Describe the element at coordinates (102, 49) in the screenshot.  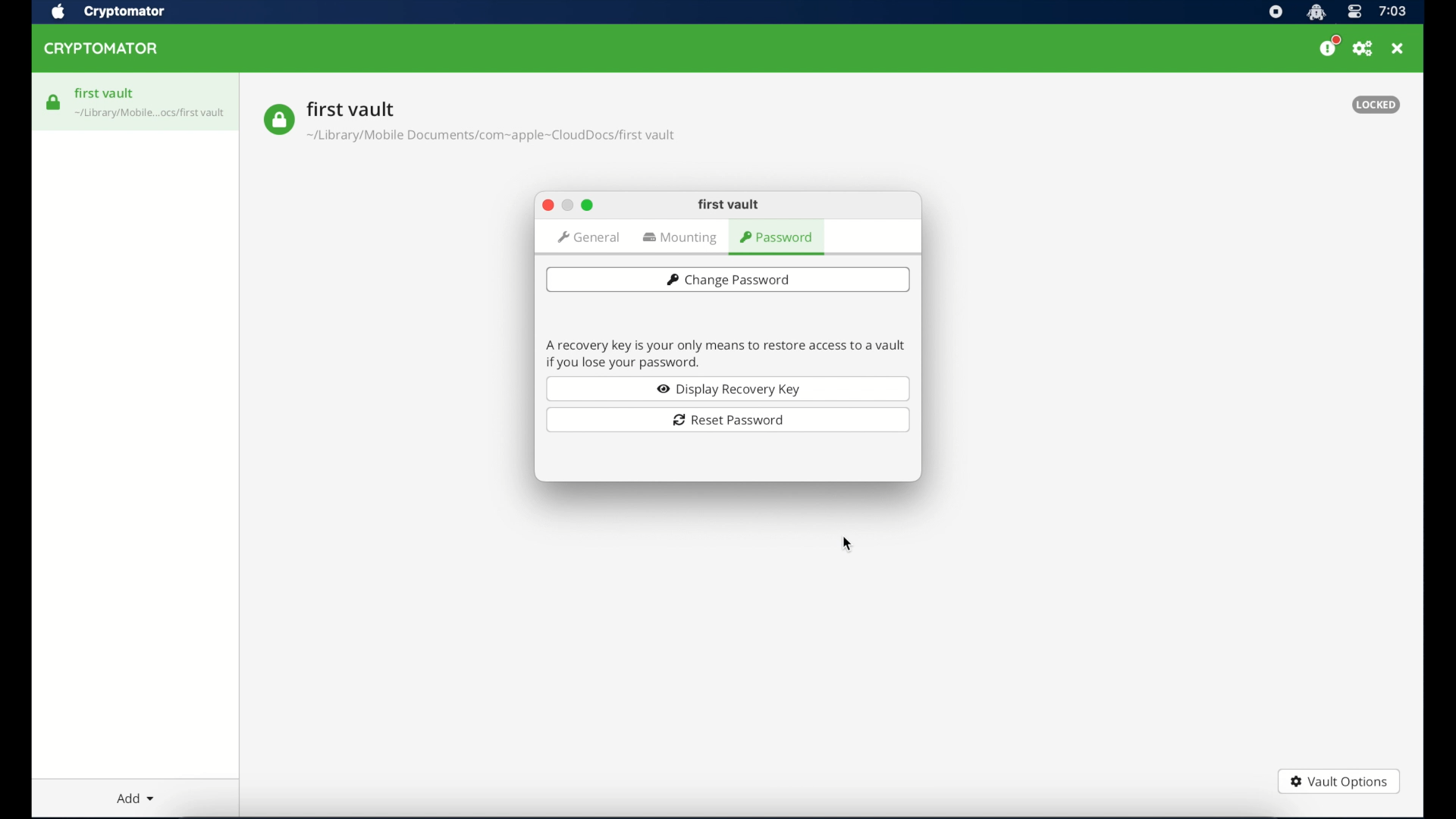
I see `cryptomator` at that location.